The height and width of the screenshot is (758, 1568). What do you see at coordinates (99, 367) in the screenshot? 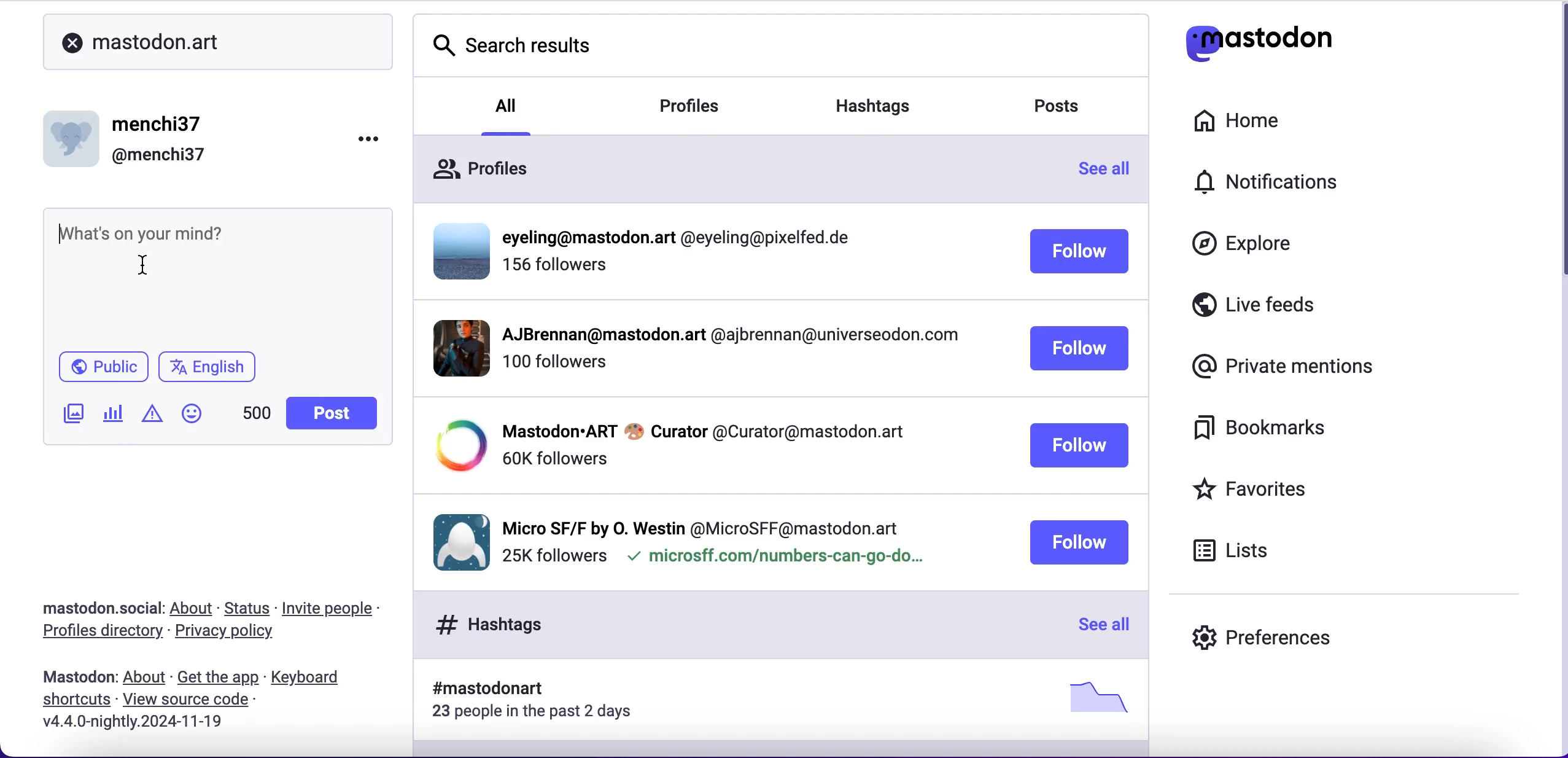
I see `public` at bounding box center [99, 367].